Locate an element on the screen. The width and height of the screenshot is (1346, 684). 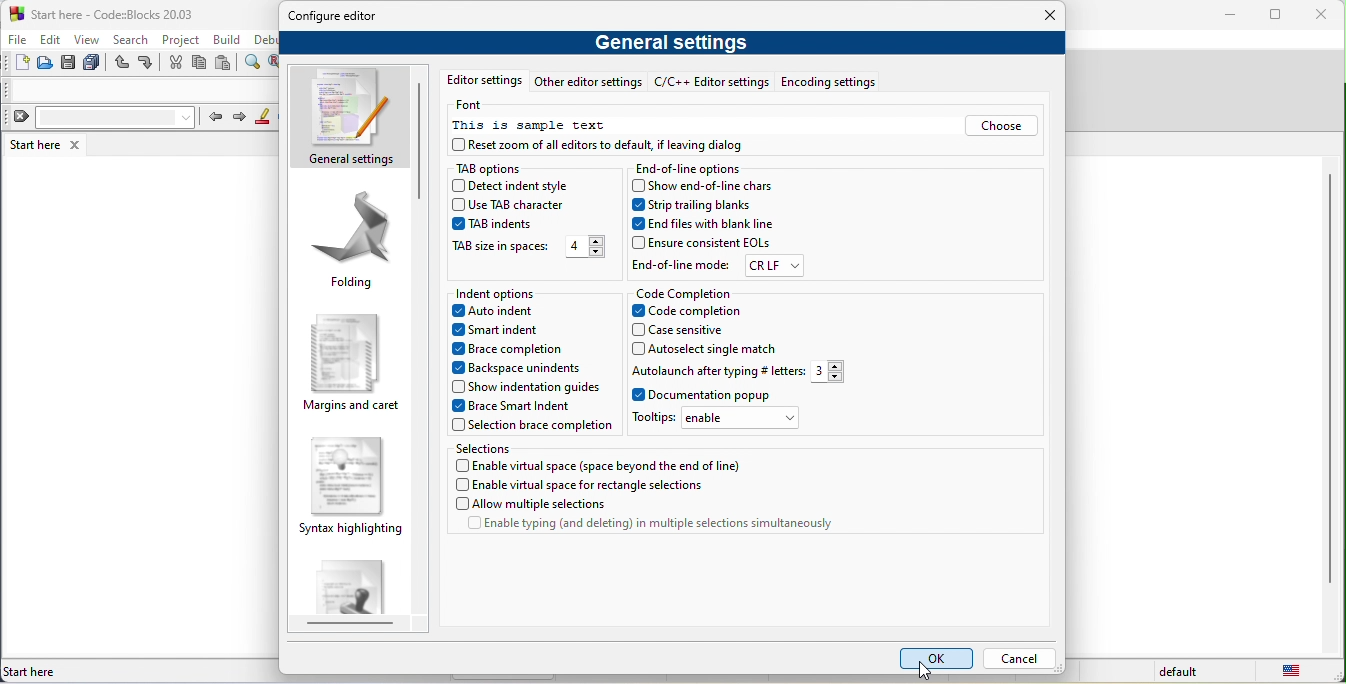
save is located at coordinates (68, 67).